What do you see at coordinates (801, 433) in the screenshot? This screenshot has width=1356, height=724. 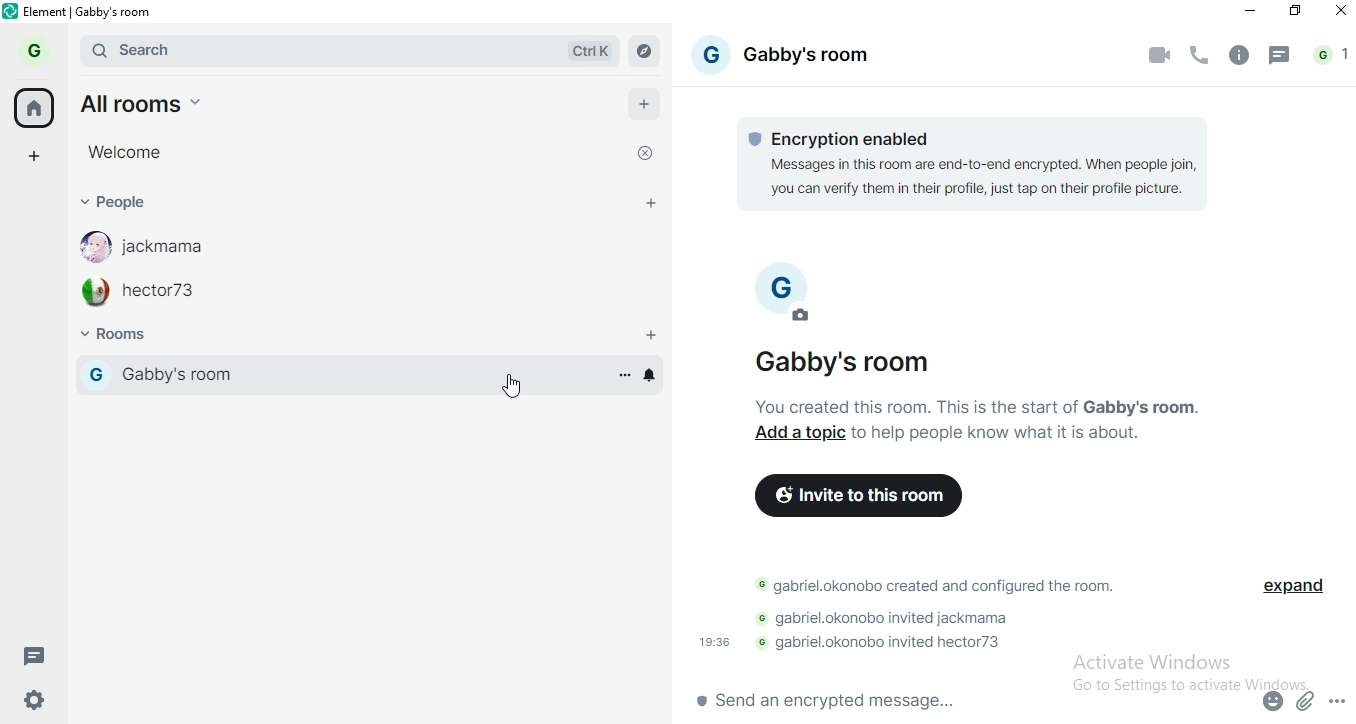 I see `add a topic` at bounding box center [801, 433].